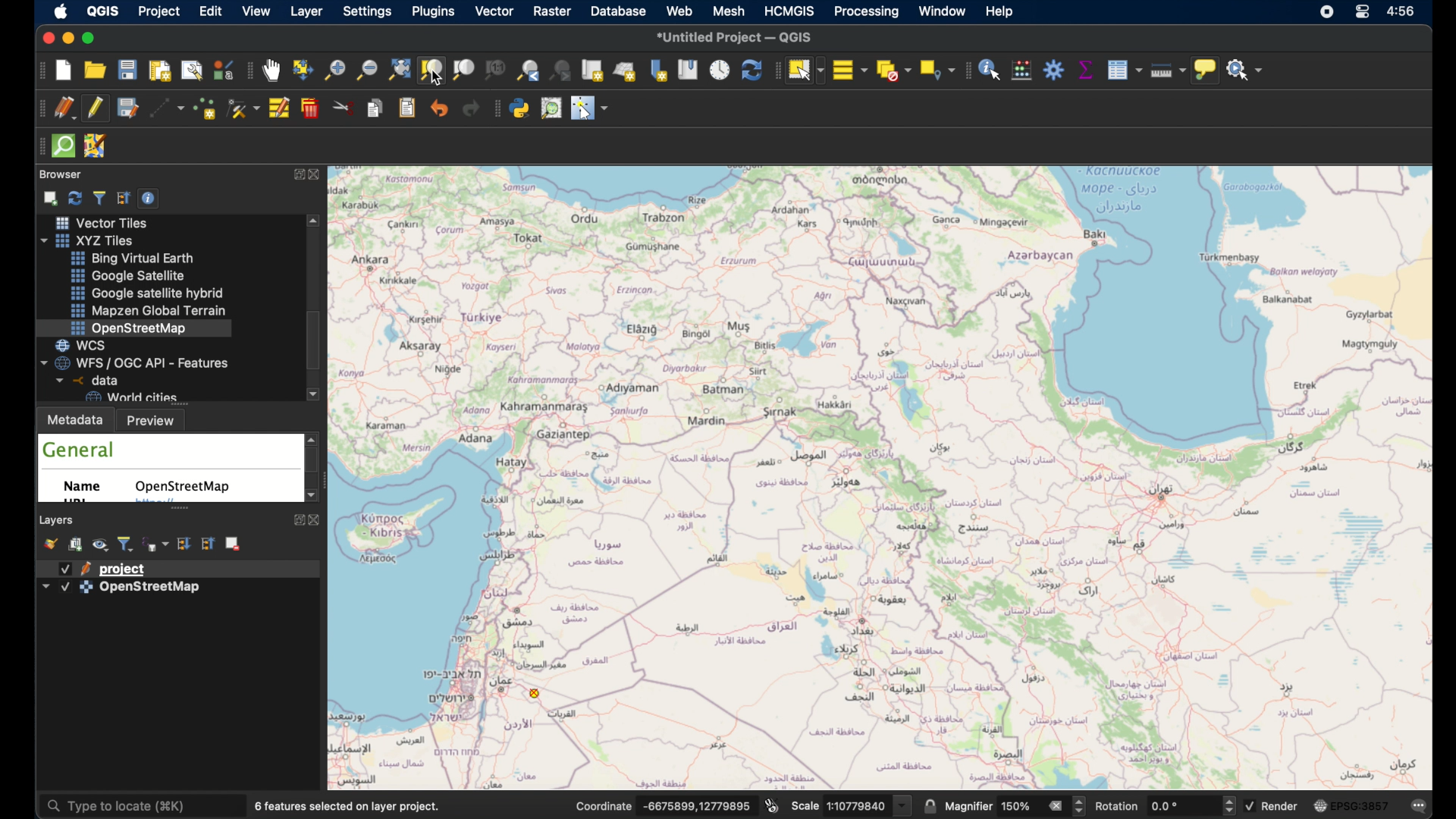  What do you see at coordinates (156, 543) in the screenshot?
I see `filter legend by expression` at bounding box center [156, 543].